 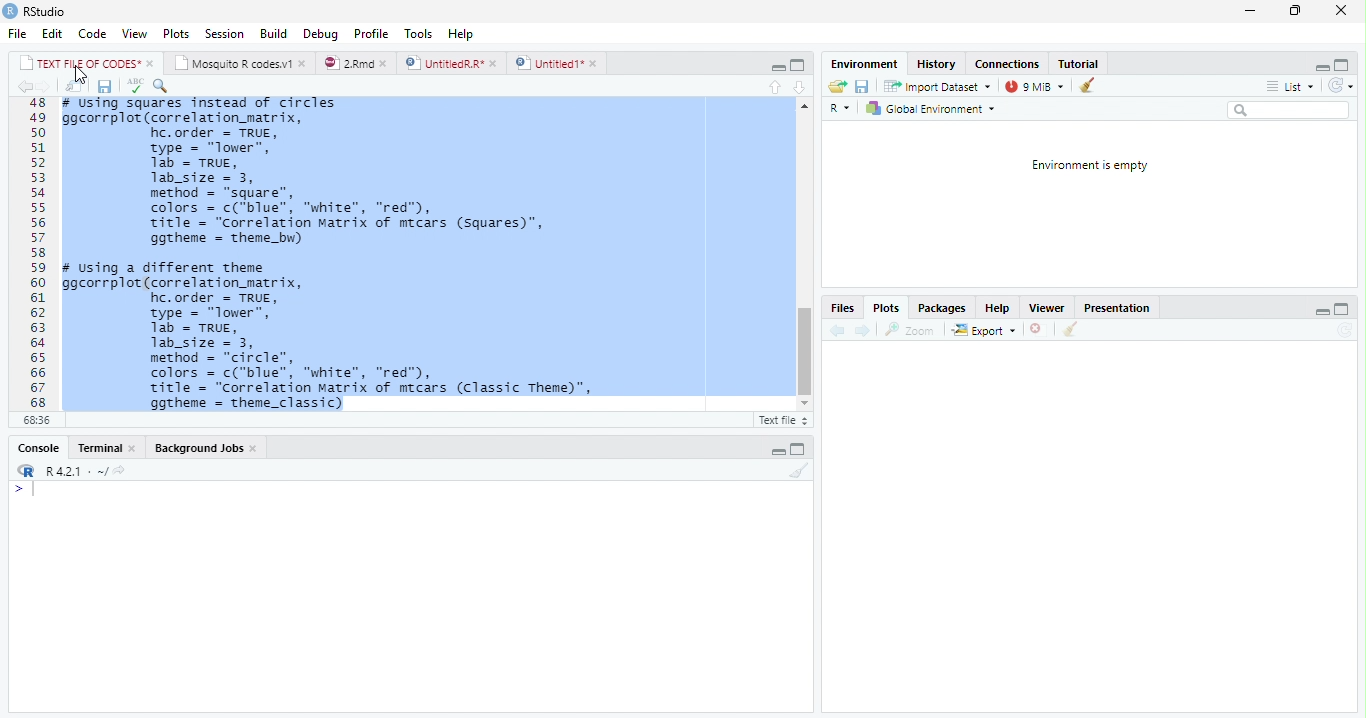 What do you see at coordinates (105, 447) in the screenshot?
I see `Terminal` at bounding box center [105, 447].